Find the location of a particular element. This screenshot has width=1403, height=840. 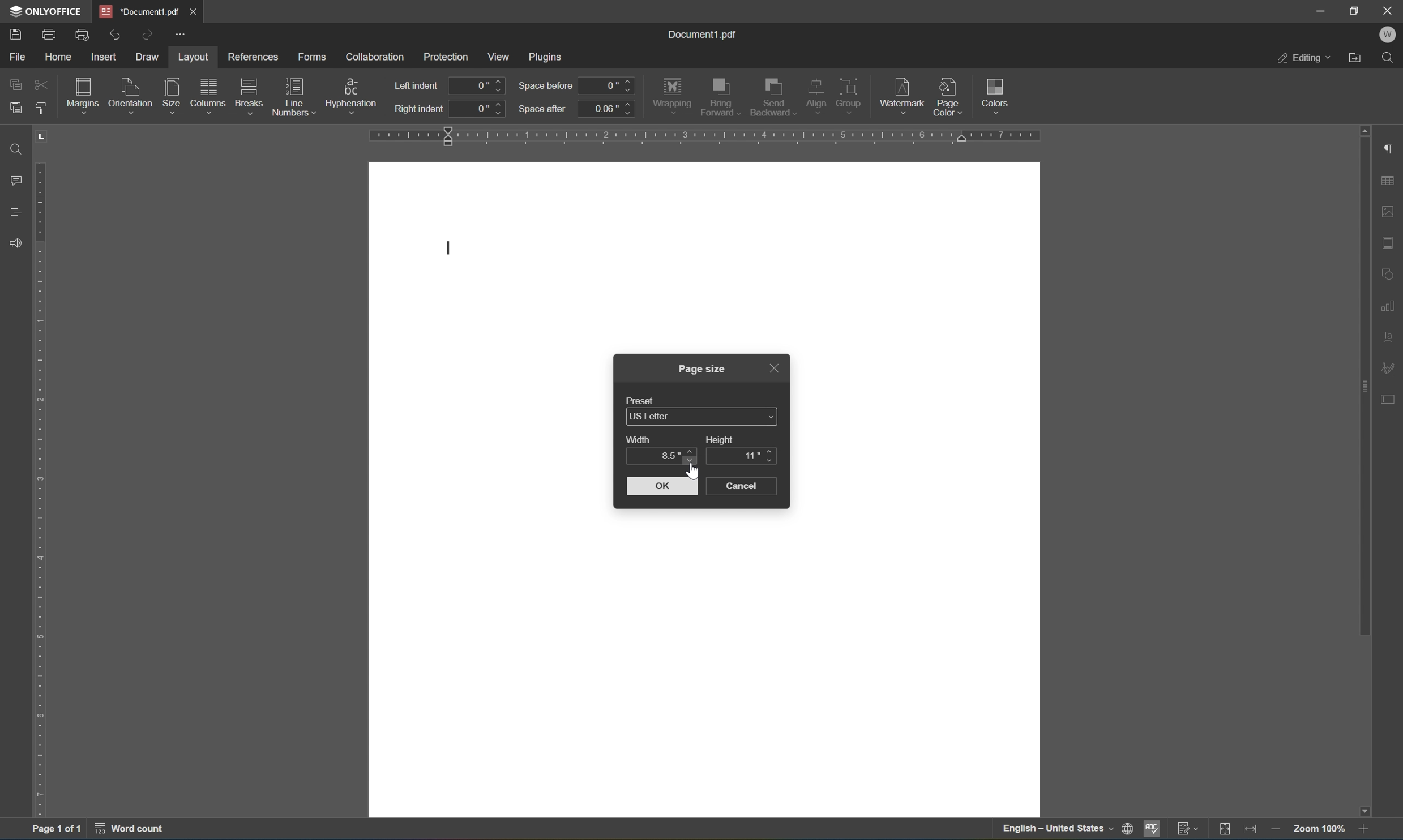

undo is located at coordinates (118, 32).